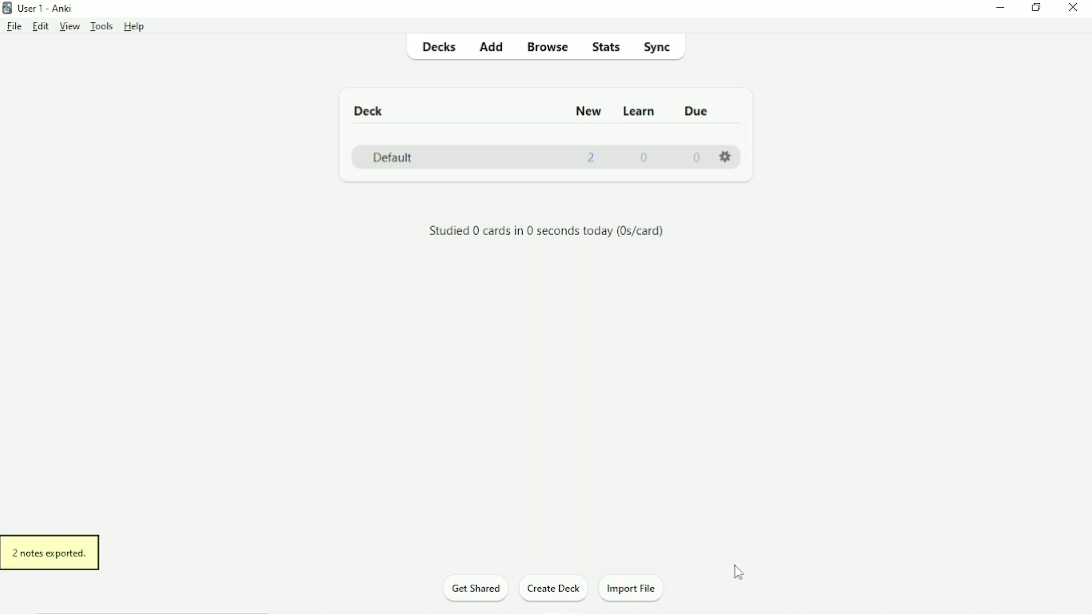  What do you see at coordinates (604, 47) in the screenshot?
I see `Stats` at bounding box center [604, 47].